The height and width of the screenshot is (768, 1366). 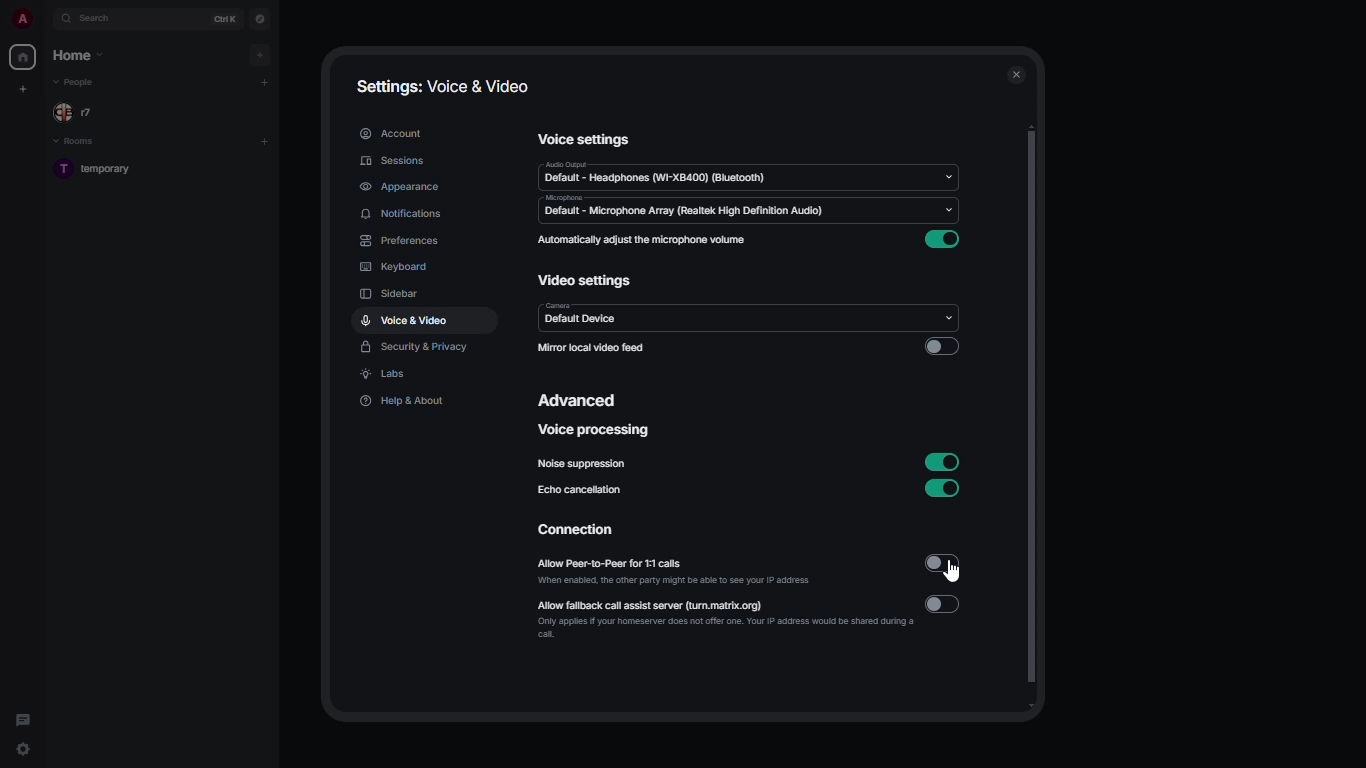 I want to click on threads, so click(x=22, y=716).